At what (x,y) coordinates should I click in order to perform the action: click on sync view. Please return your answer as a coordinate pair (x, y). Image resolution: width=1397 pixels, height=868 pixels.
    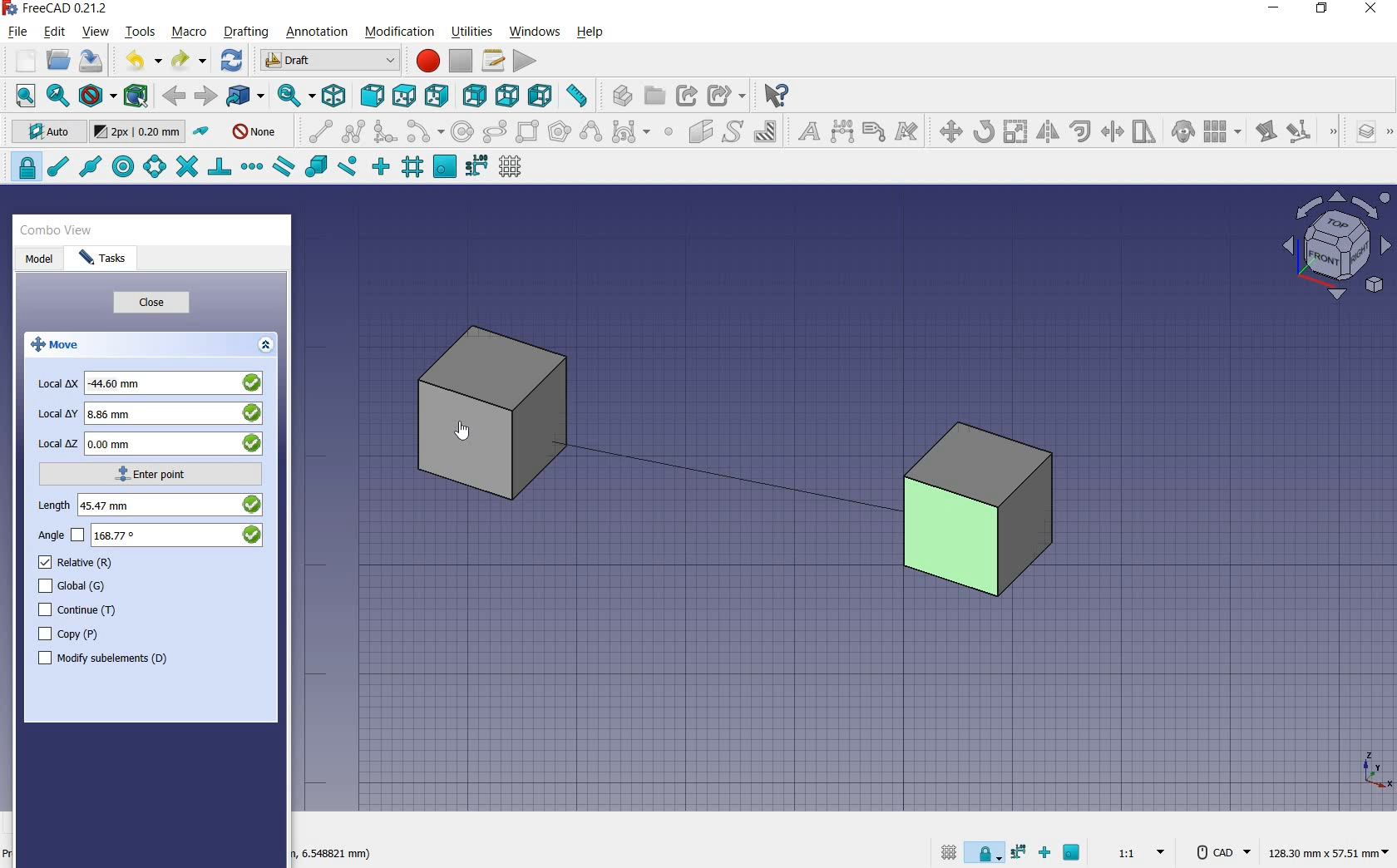
    Looking at the image, I should click on (295, 96).